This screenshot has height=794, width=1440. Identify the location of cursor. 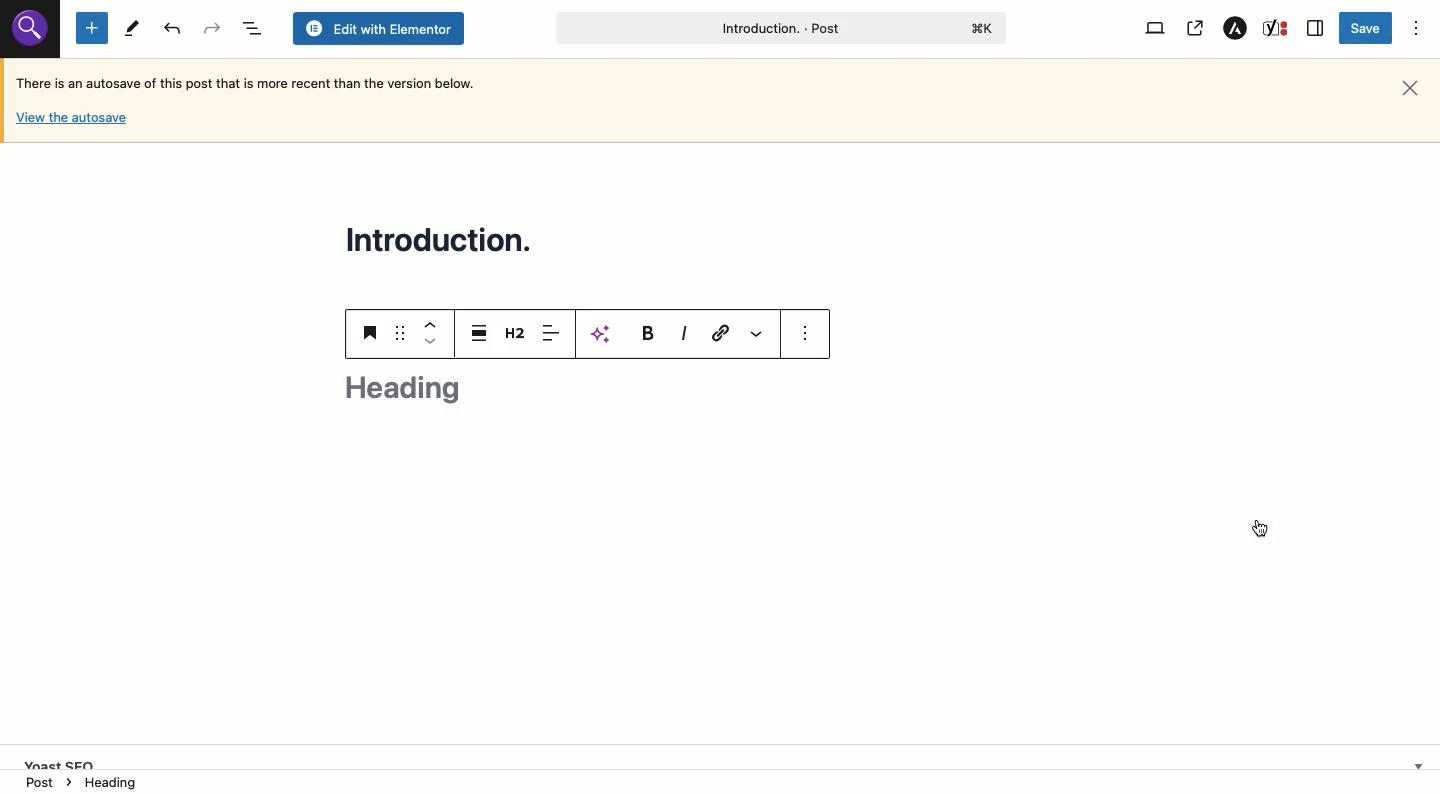
(1259, 528).